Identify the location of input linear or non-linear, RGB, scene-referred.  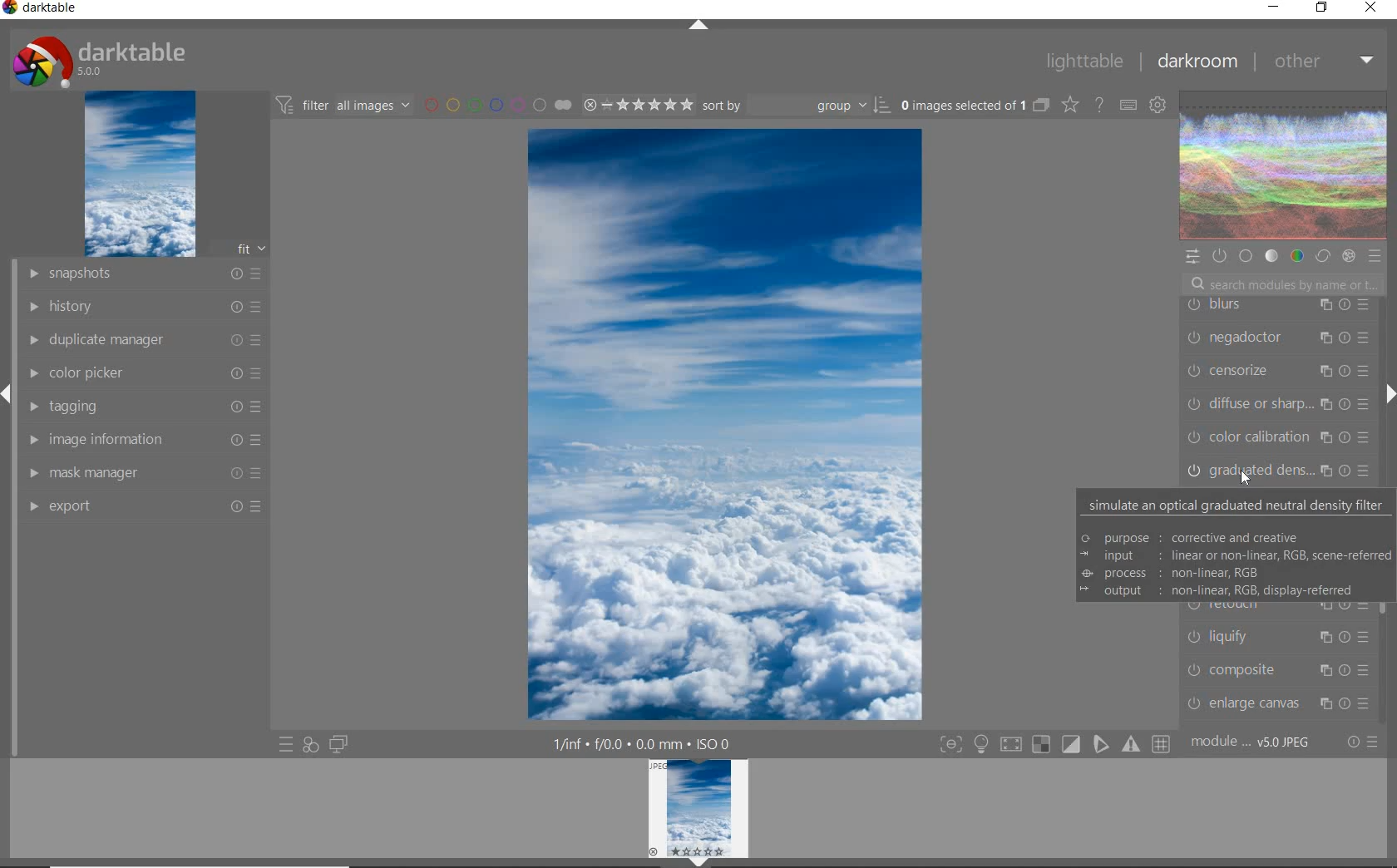
(1236, 555).